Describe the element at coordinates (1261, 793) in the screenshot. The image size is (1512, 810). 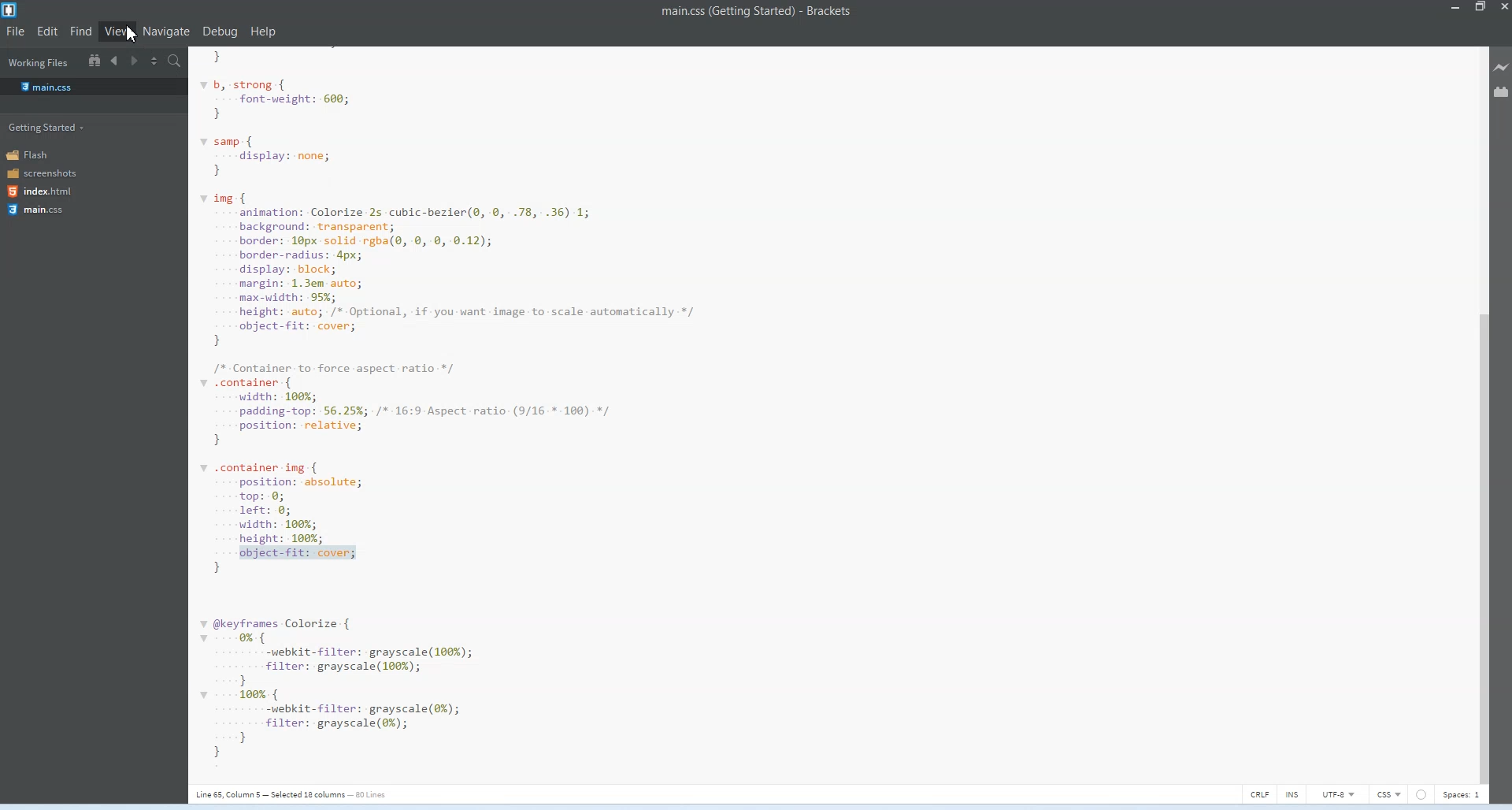
I see `CRLF` at that location.